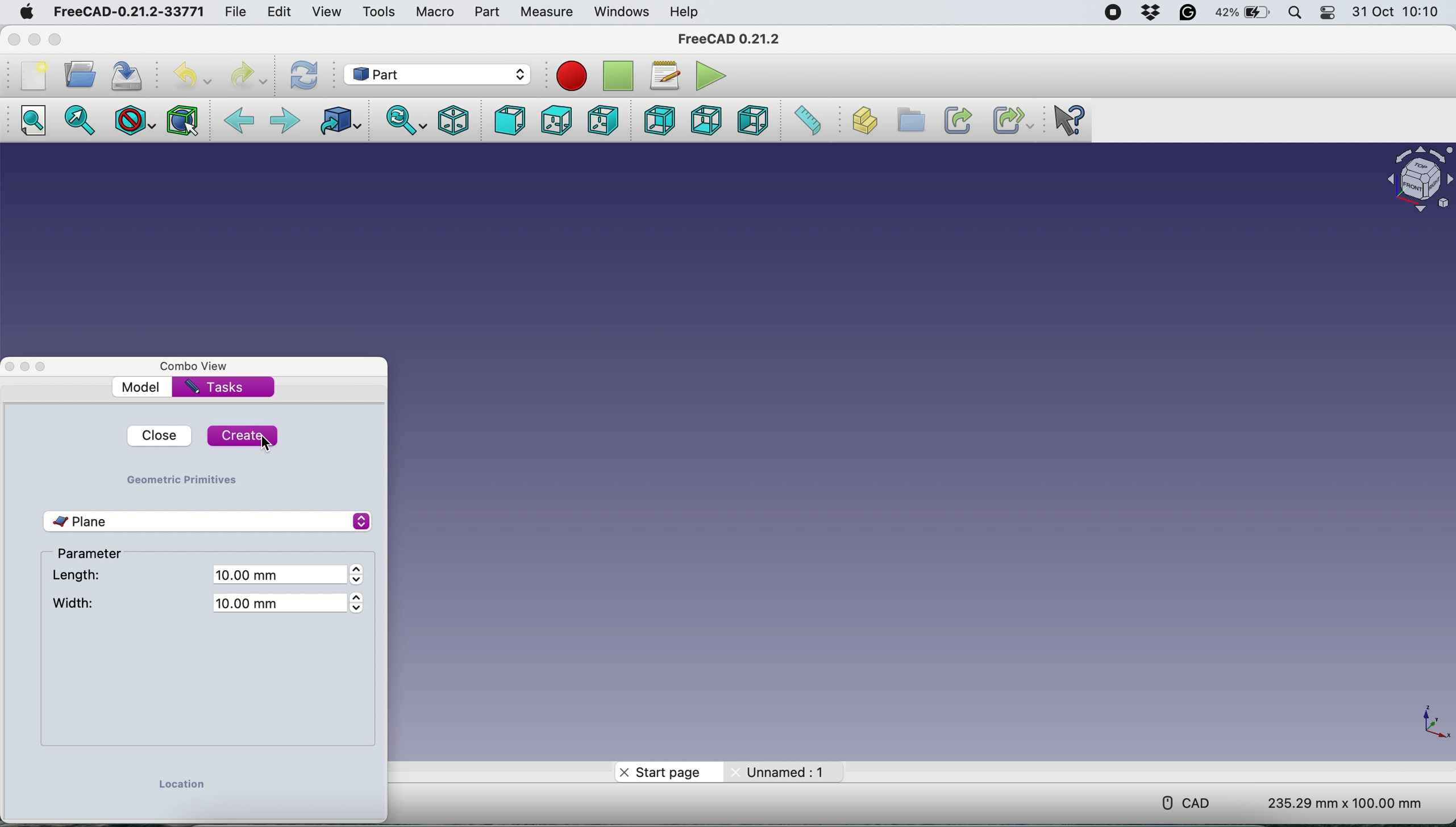  What do you see at coordinates (192, 76) in the screenshot?
I see `Undo` at bounding box center [192, 76].